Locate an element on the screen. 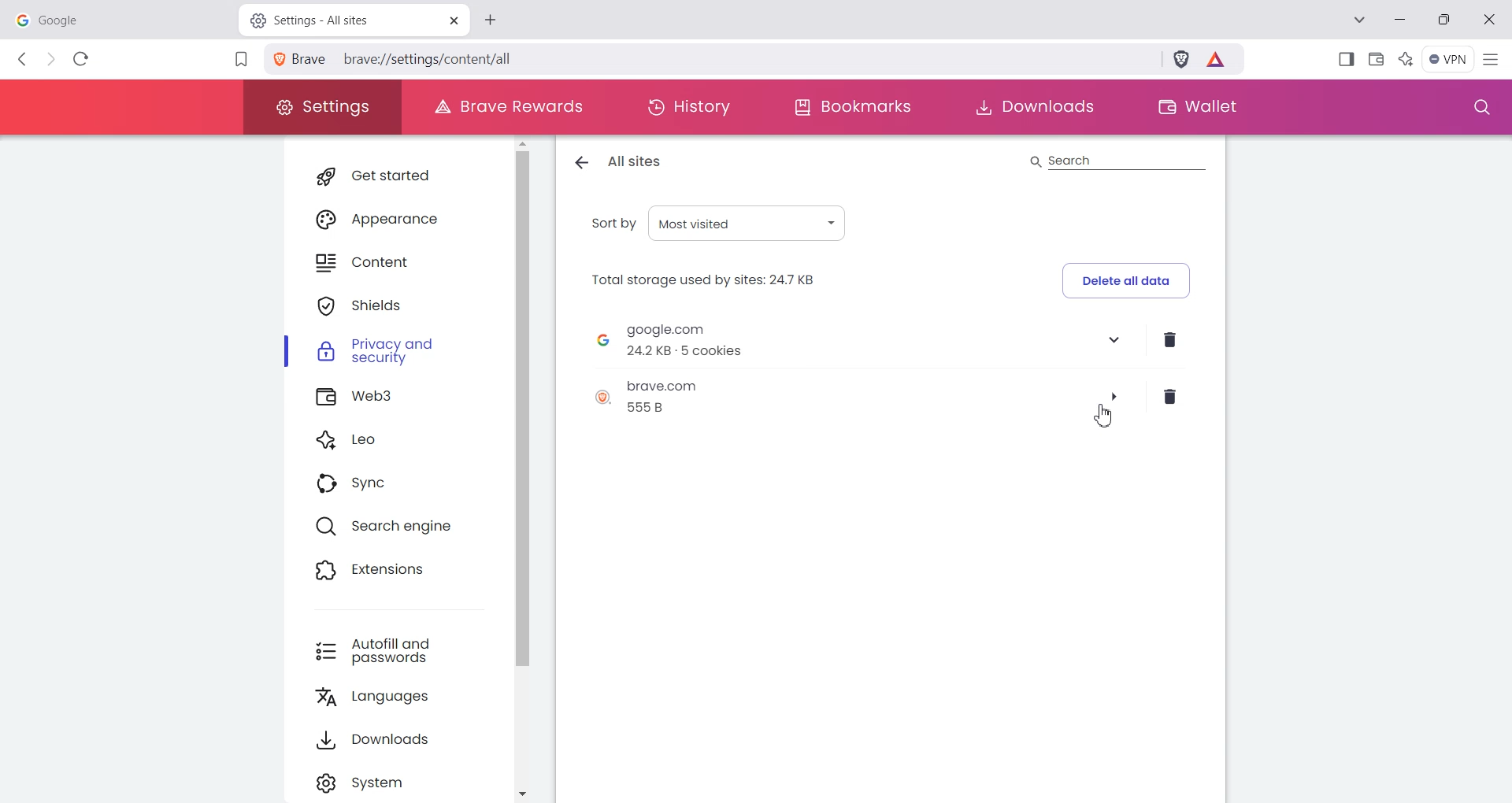  Hamburger Settings is located at coordinates (1494, 58).